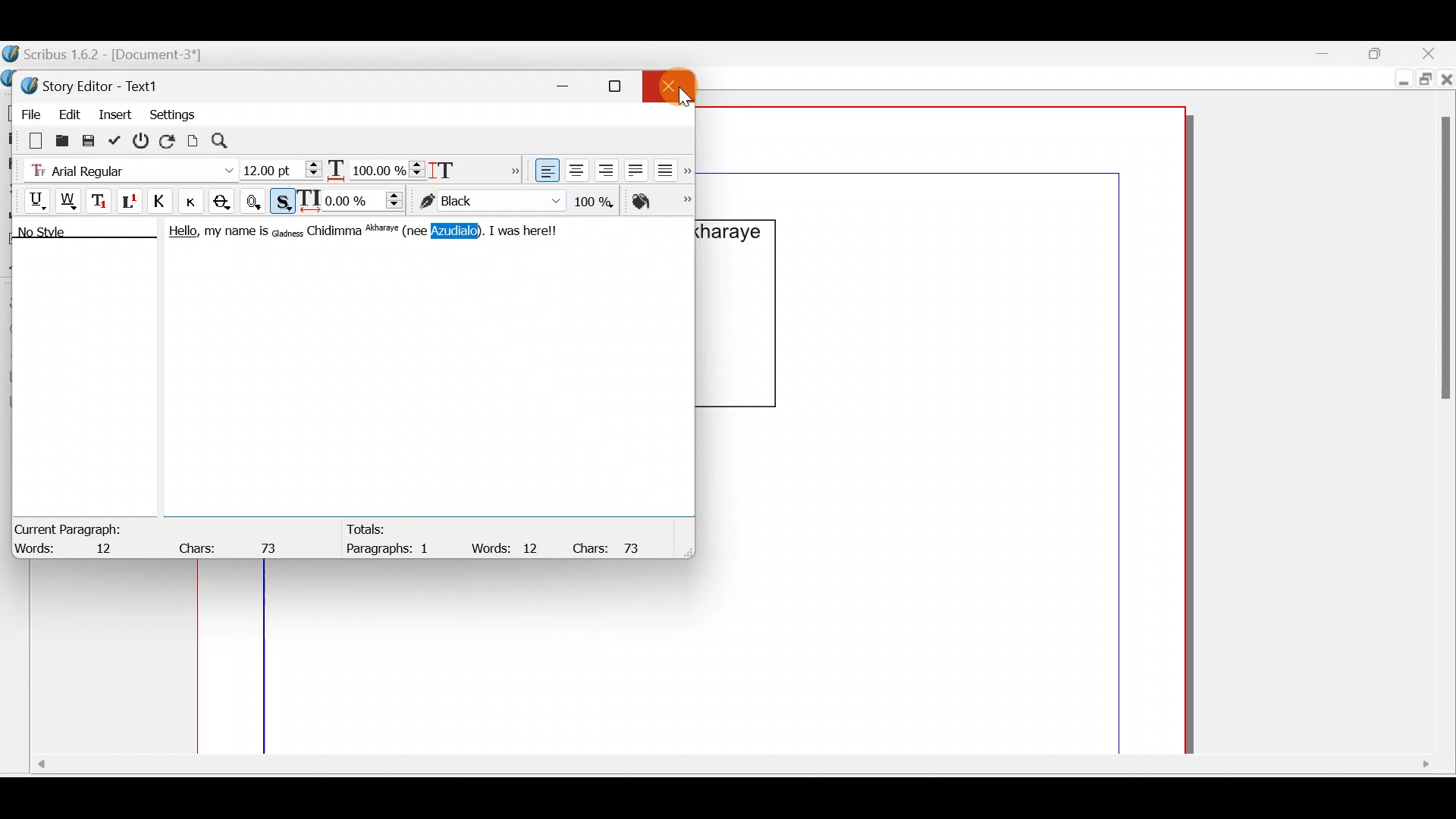 This screenshot has height=819, width=1456. What do you see at coordinates (126, 168) in the screenshot?
I see `Font type - Arial Regular` at bounding box center [126, 168].